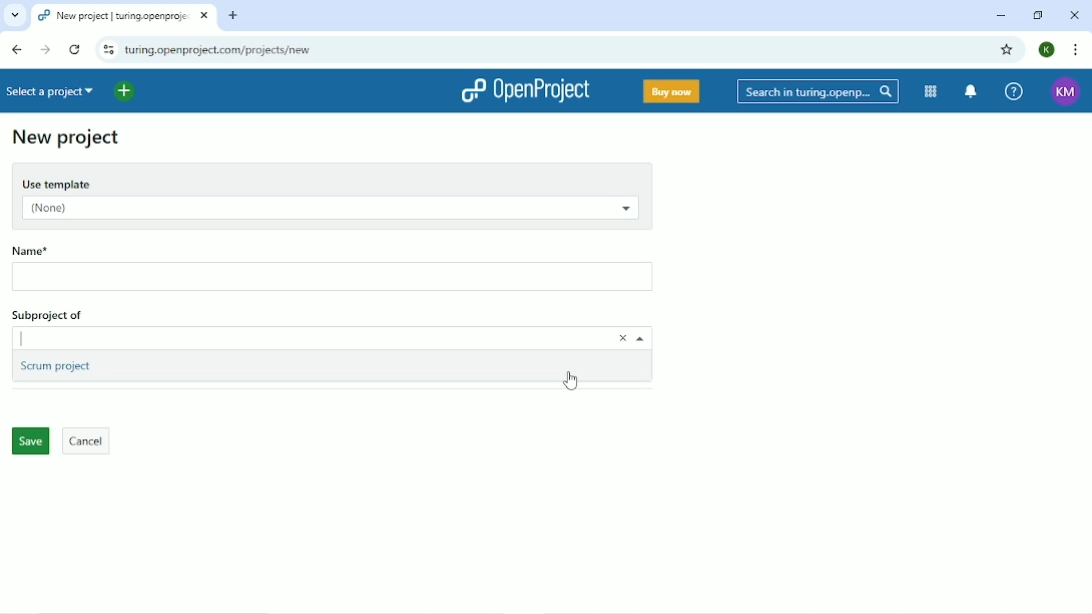 This screenshot has height=614, width=1092. I want to click on OpenProject, so click(526, 91).